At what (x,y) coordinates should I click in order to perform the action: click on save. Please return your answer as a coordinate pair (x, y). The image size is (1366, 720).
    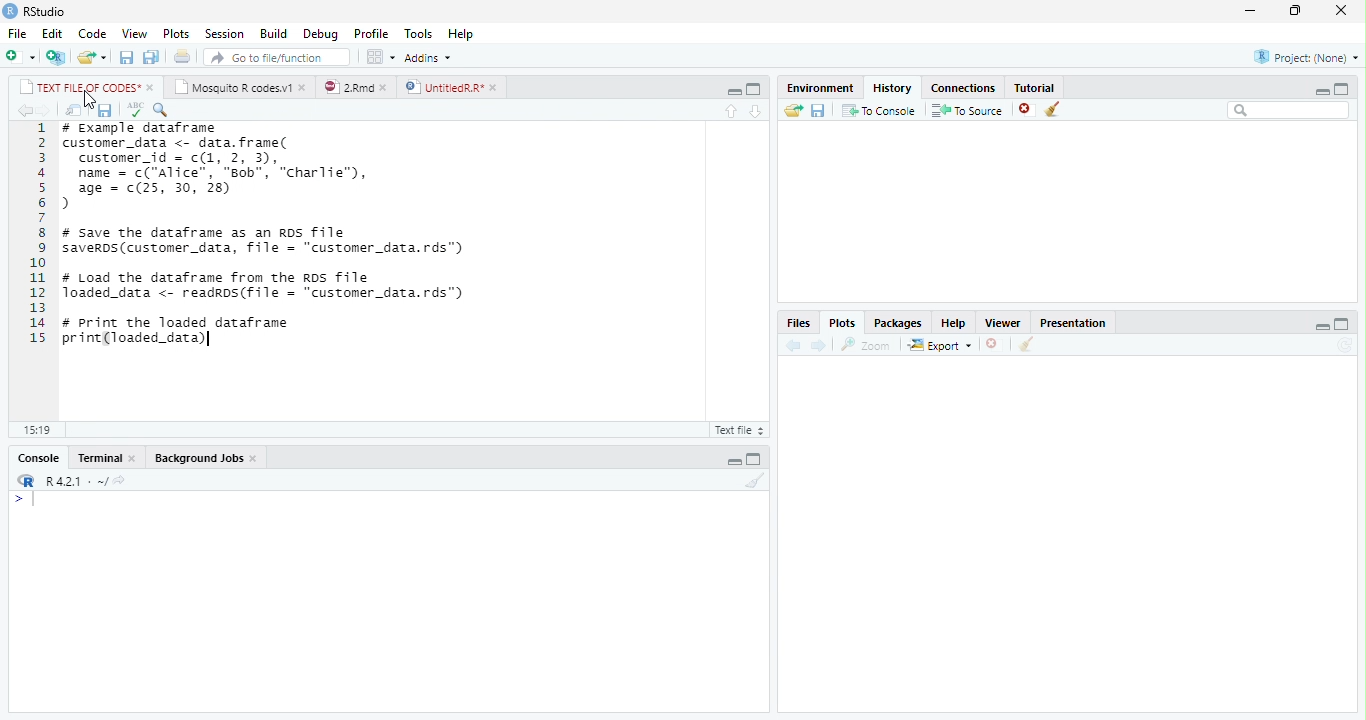
    Looking at the image, I should click on (127, 57).